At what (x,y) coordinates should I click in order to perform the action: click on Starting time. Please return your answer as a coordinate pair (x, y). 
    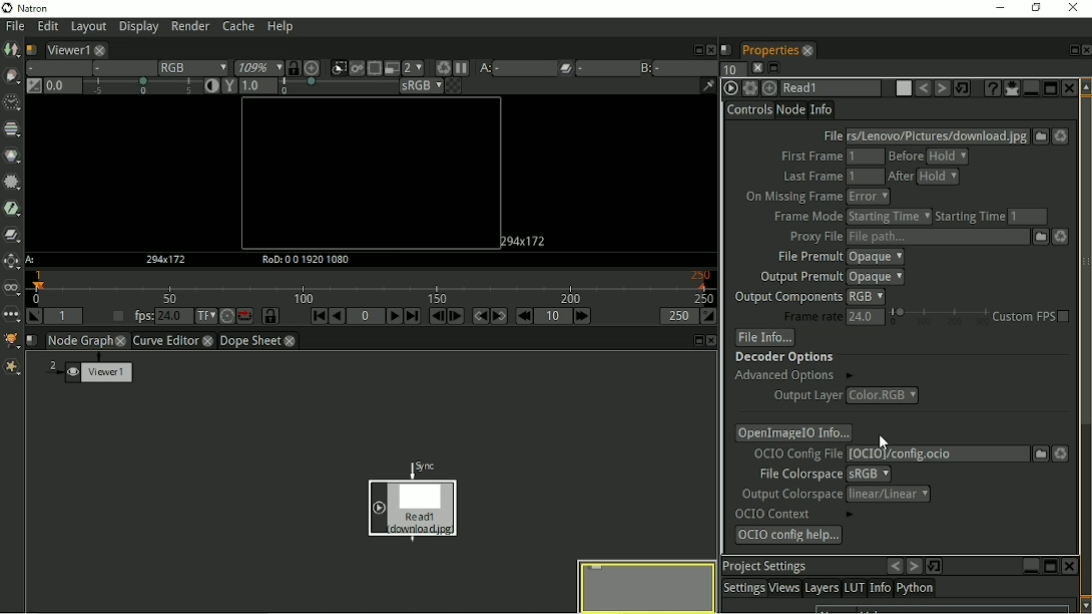
    Looking at the image, I should click on (985, 217).